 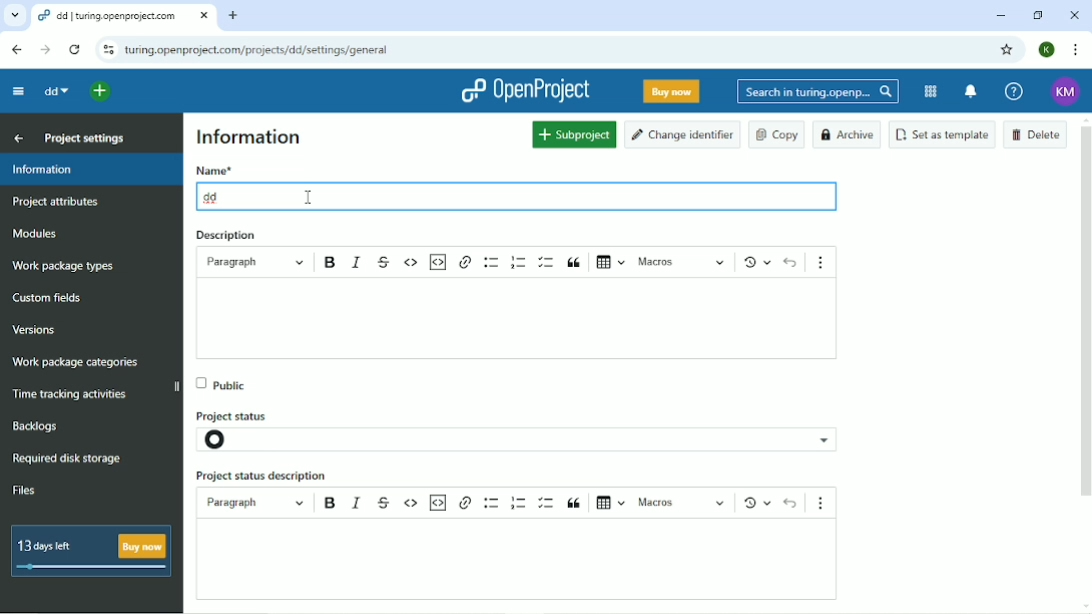 What do you see at coordinates (818, 92) in the screenshot?
I see `Search in turing.openprojects.com` at bounding box center [818, 92].